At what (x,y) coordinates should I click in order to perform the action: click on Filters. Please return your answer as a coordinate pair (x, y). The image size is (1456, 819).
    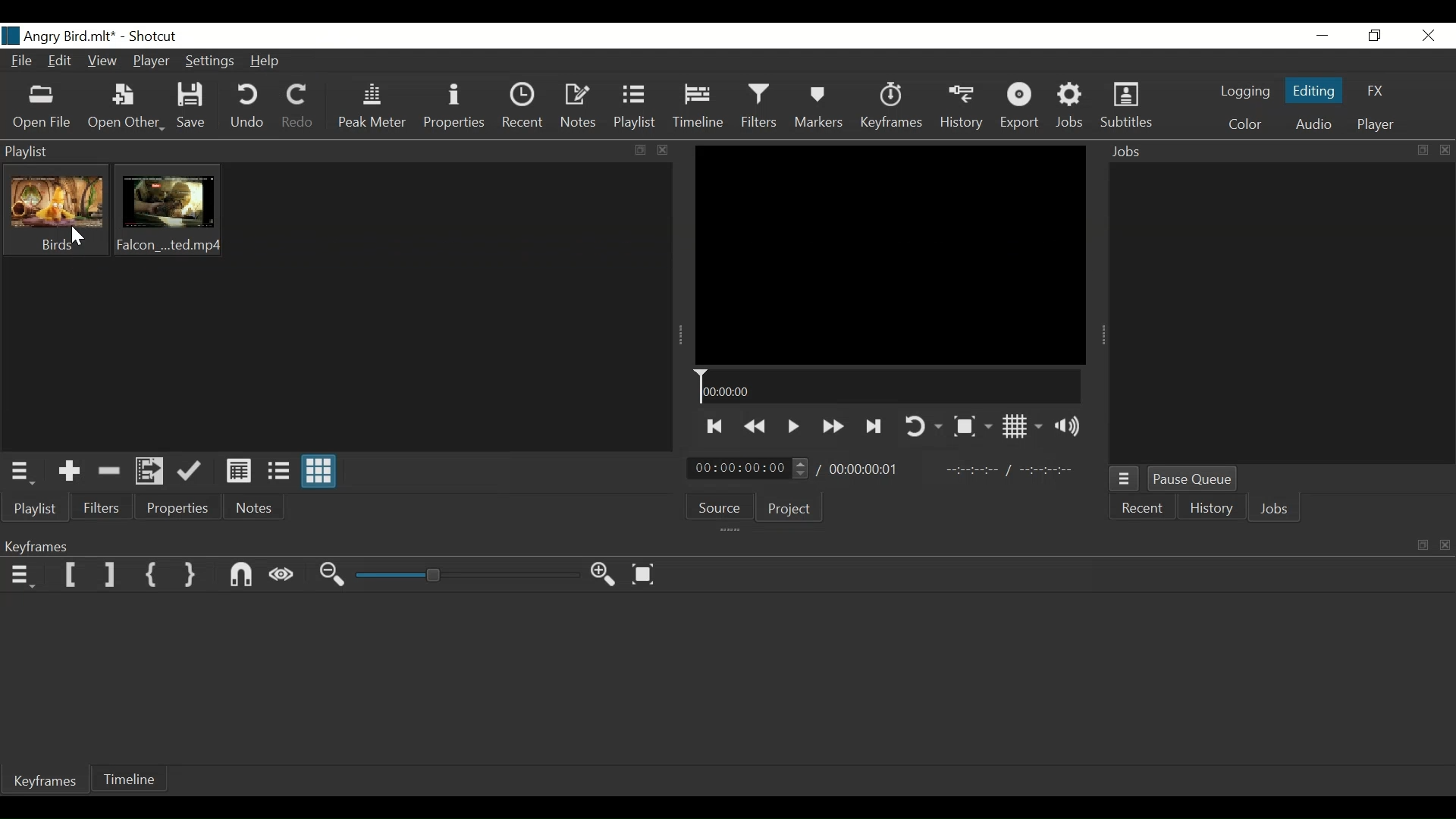
    Looking at the image, I should click on (103, 507).